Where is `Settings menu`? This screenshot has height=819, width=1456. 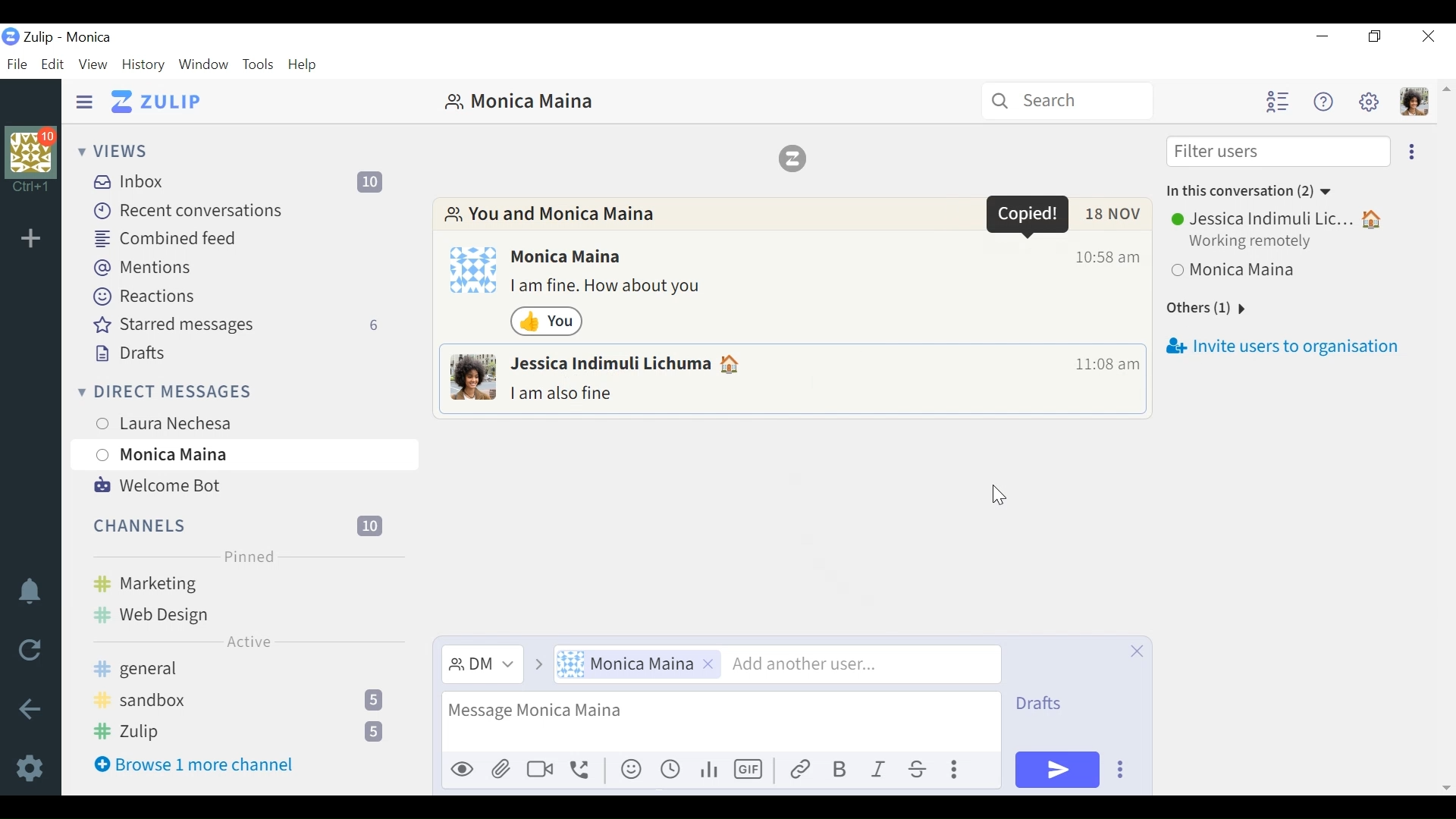 Settings menu is located at coordinates (1369, 102).